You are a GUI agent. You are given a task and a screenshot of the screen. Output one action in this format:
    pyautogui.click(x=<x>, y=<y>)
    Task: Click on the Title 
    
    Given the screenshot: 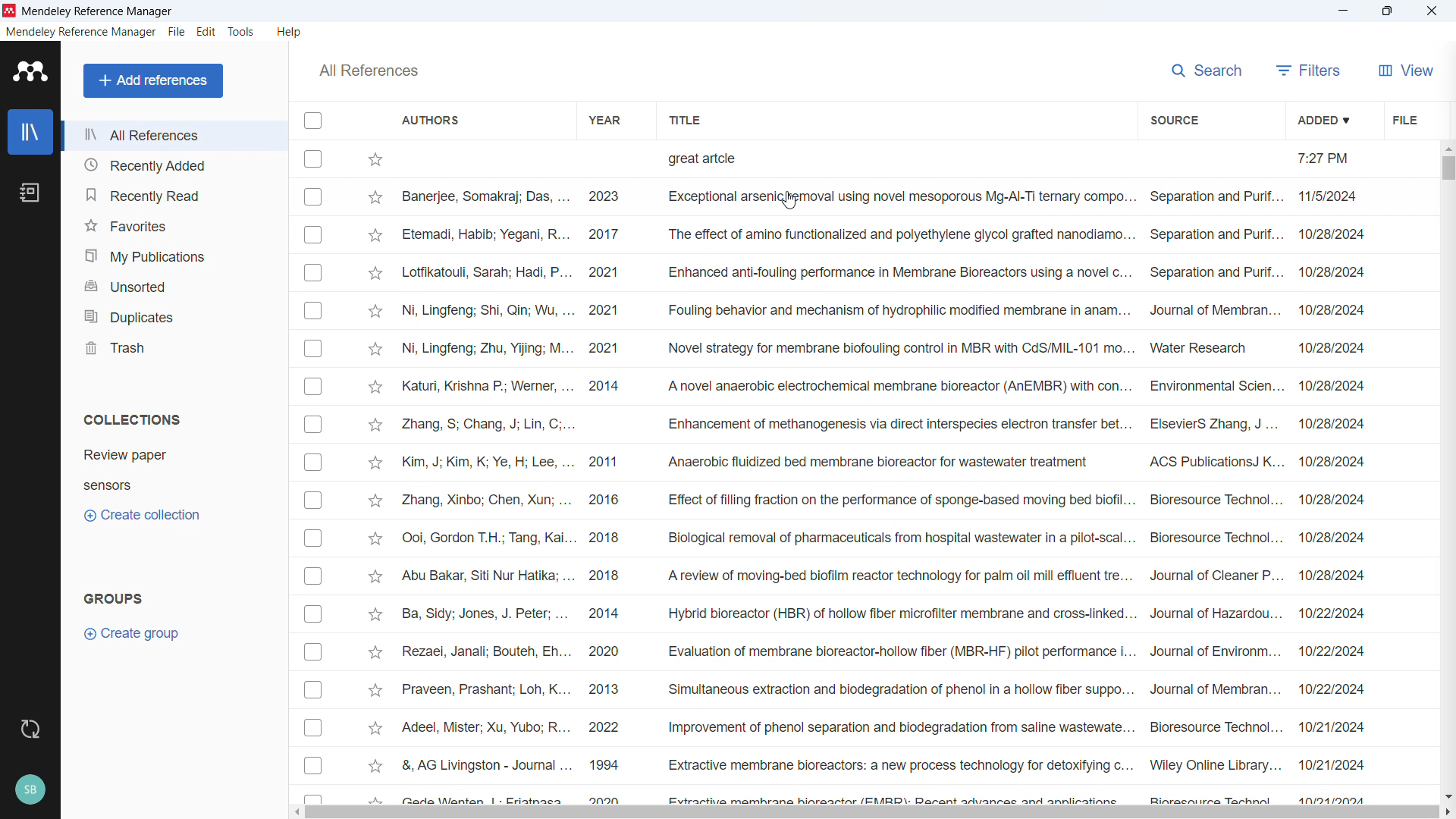 What is the action you would take?
    pyautogui.click(x=99, y=12)
    